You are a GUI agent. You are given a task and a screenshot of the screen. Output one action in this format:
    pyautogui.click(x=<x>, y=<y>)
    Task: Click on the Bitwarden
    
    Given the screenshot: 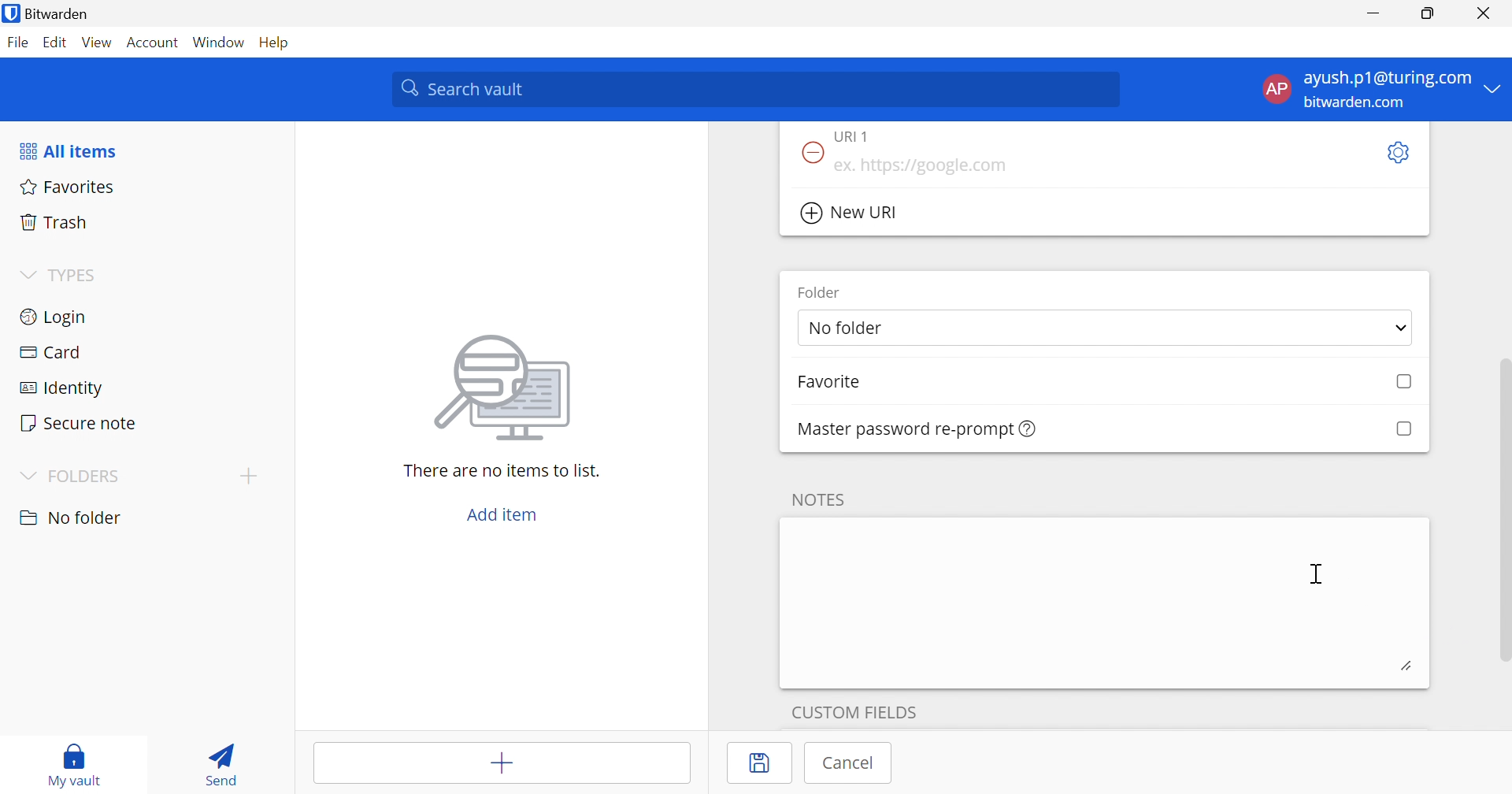 What is the action you would take?
    pyautogui.click(x=48, y=13)
    